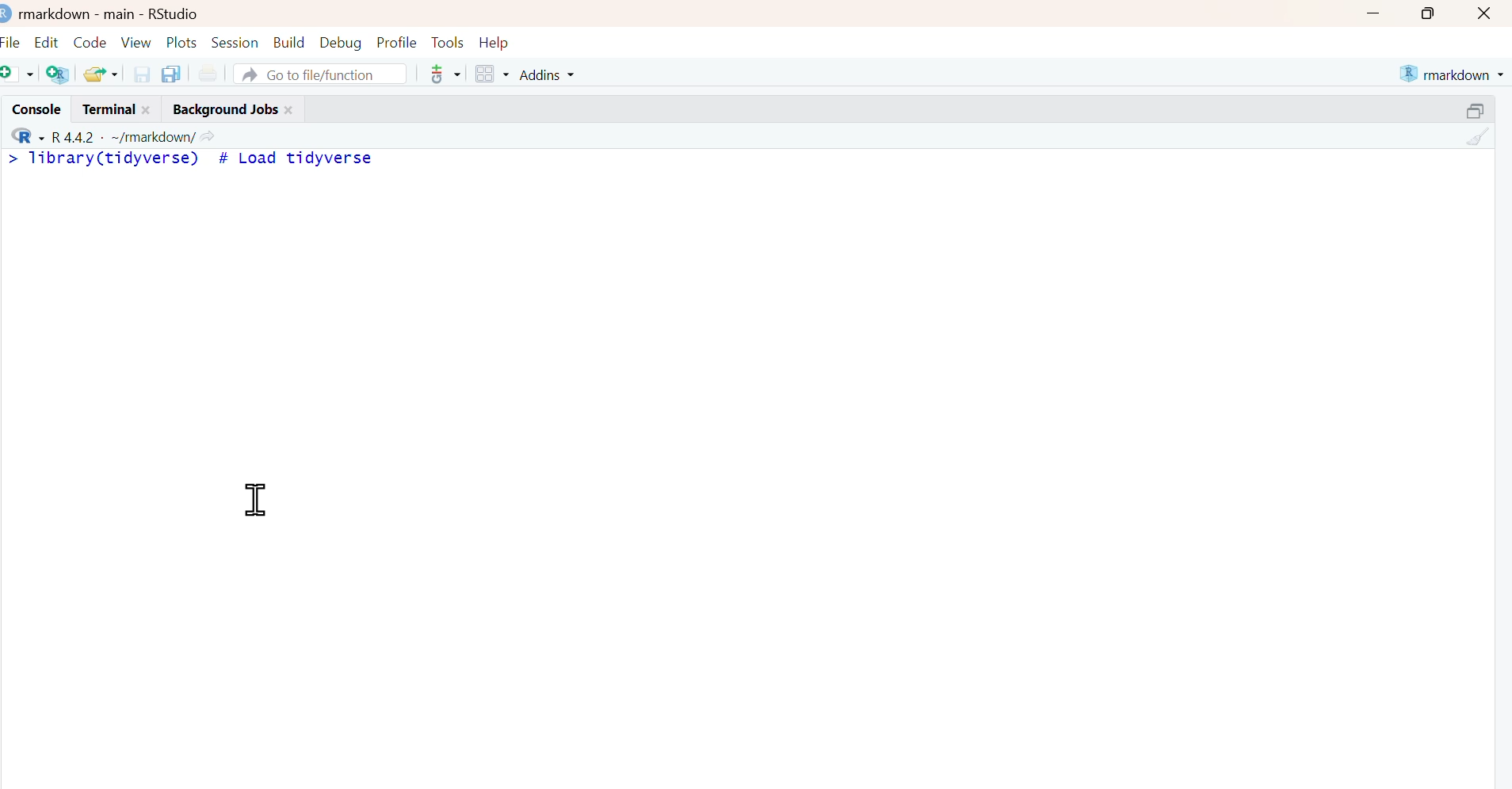 This screenshot has width=1512, height=789. Describe the element at coordinates (290, 39) in the screenshot. I see `Build` at that location.